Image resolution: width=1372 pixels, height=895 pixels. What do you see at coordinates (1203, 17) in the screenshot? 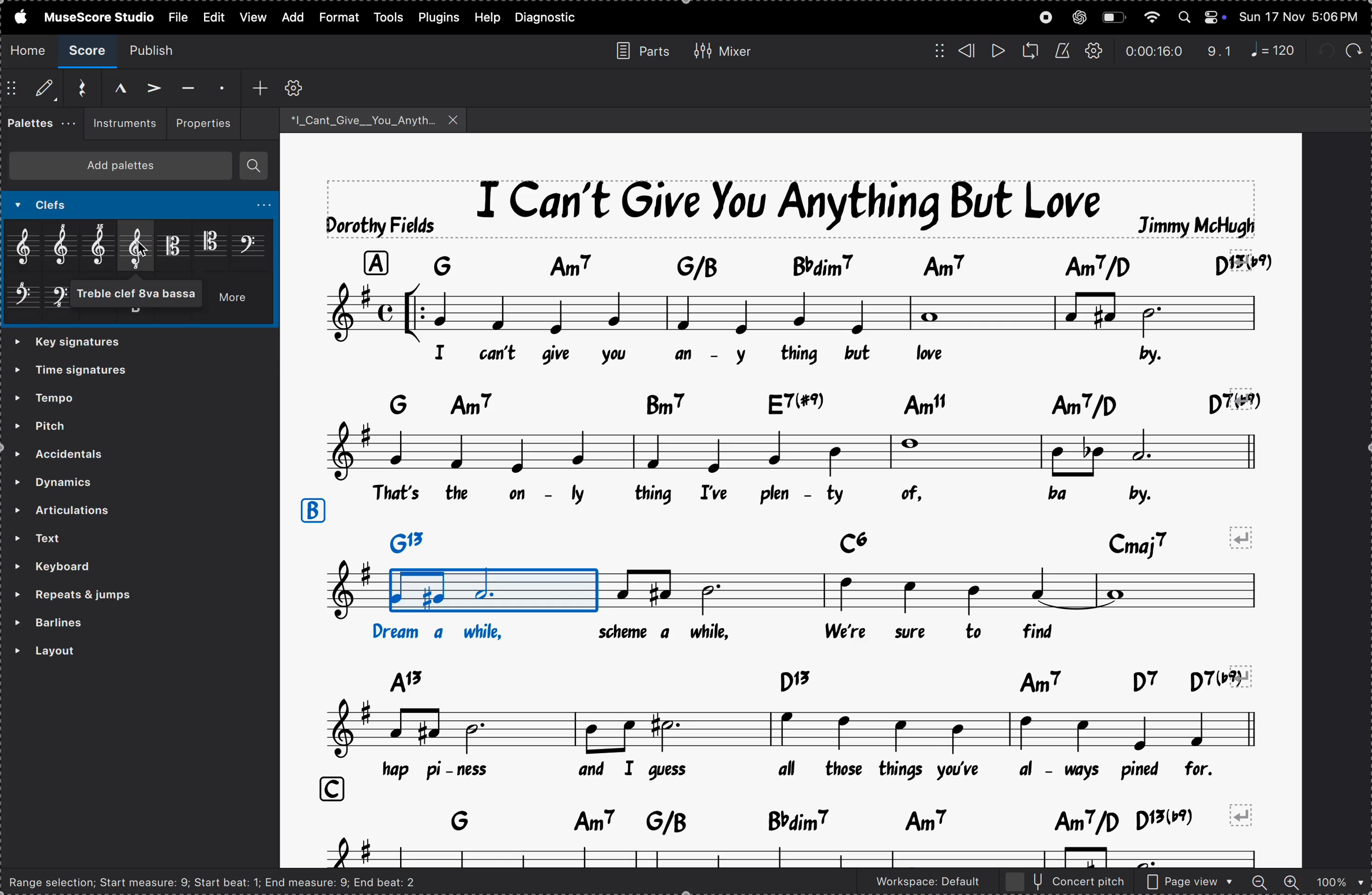
I see `apple widgtes` at bounding box center [1203, 17].